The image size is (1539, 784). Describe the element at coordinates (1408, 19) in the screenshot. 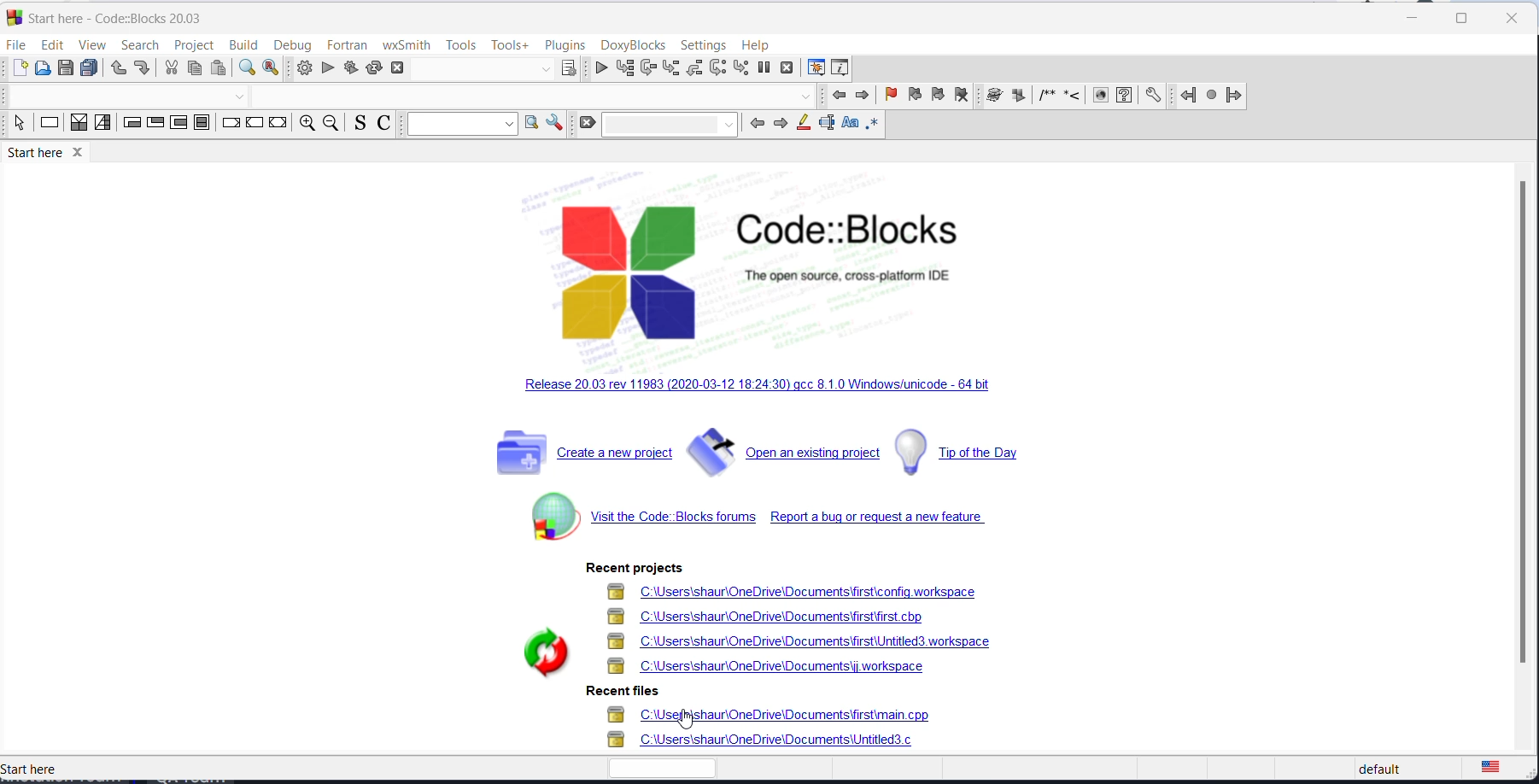

I see `close` at that location.